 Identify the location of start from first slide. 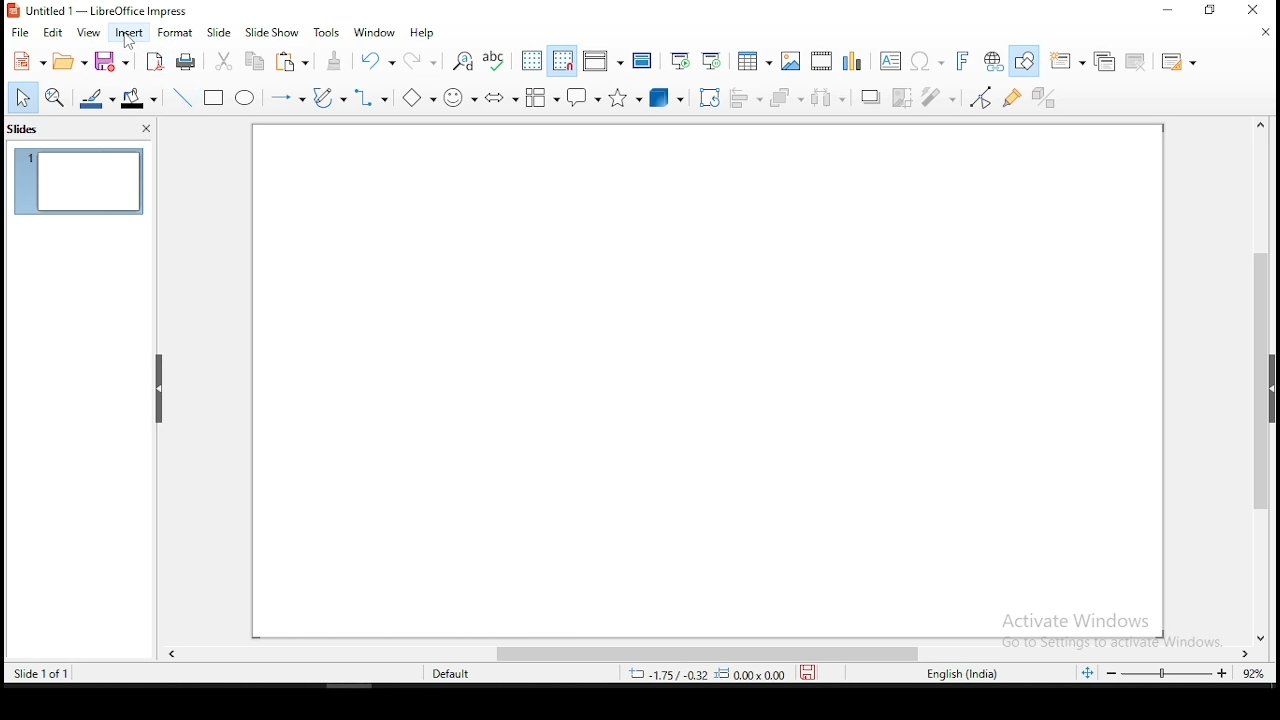
(682, 58).